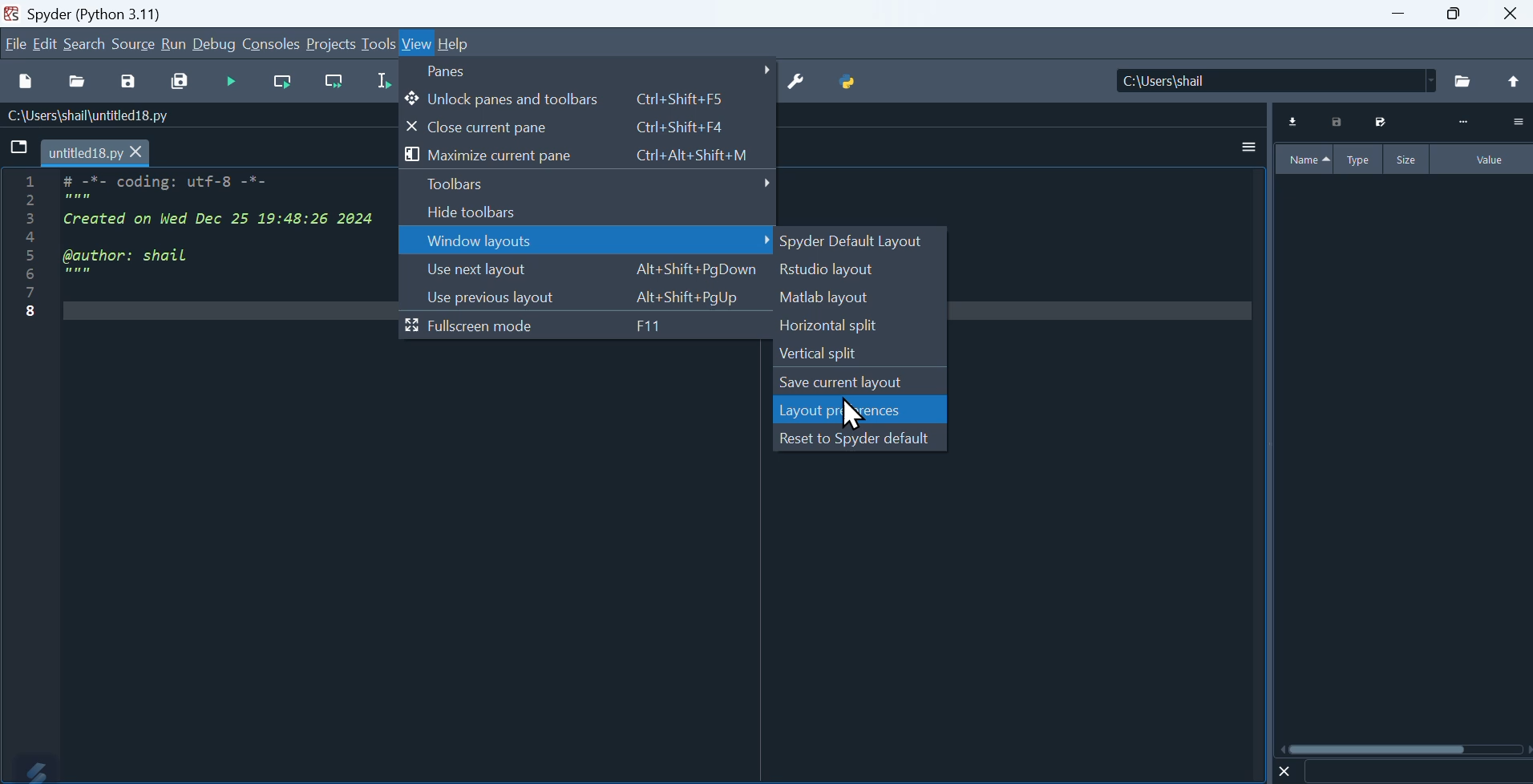 Image resolution: width=1533 pixels, height=784 pixels. Describe the element at coordinates (1408, 159) in the screenshot. I see `Size` at that location.